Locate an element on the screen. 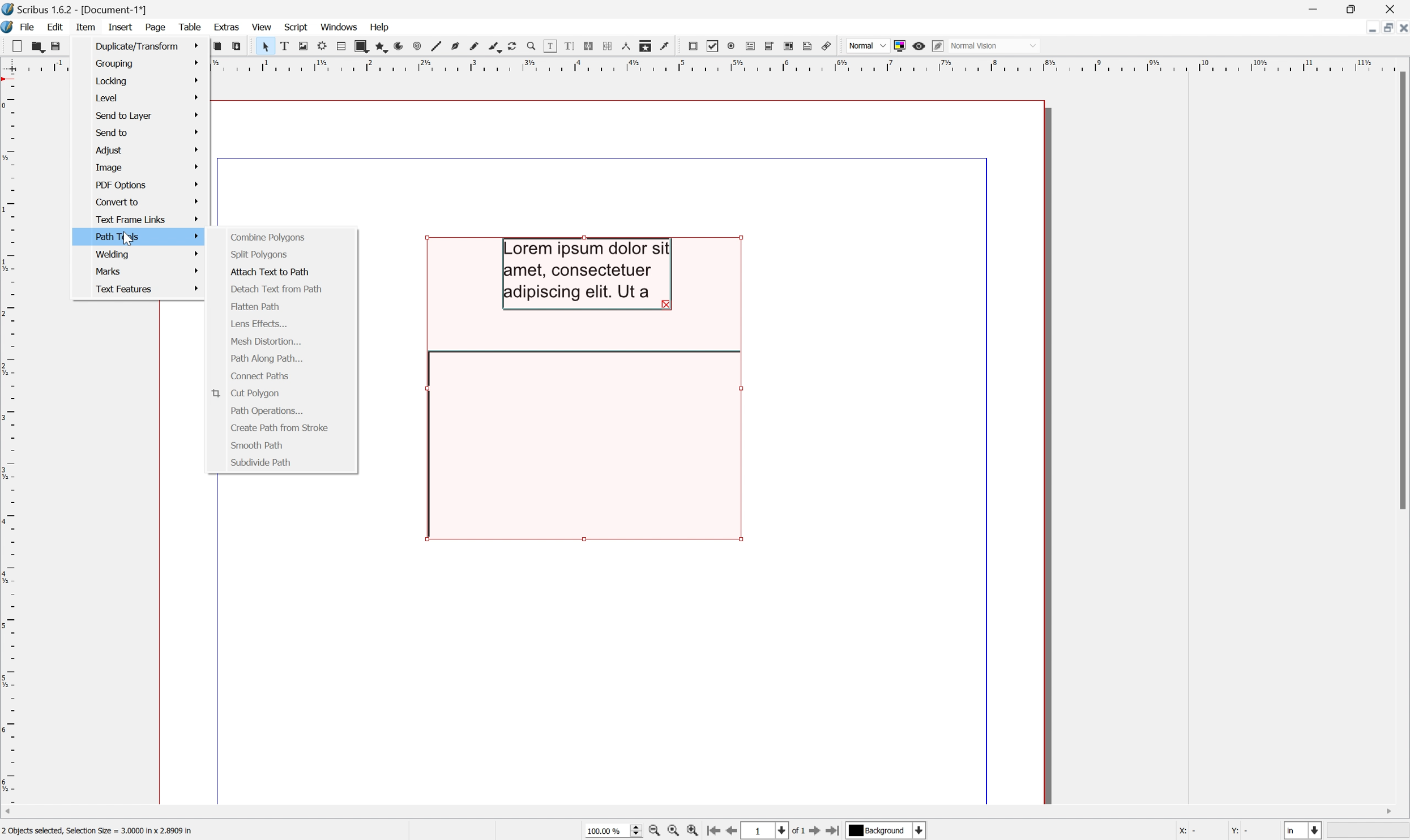 Image resolution: width=1410 pixels, height=840 pixels. Calligraphic line is located at coordinates (494, 48).